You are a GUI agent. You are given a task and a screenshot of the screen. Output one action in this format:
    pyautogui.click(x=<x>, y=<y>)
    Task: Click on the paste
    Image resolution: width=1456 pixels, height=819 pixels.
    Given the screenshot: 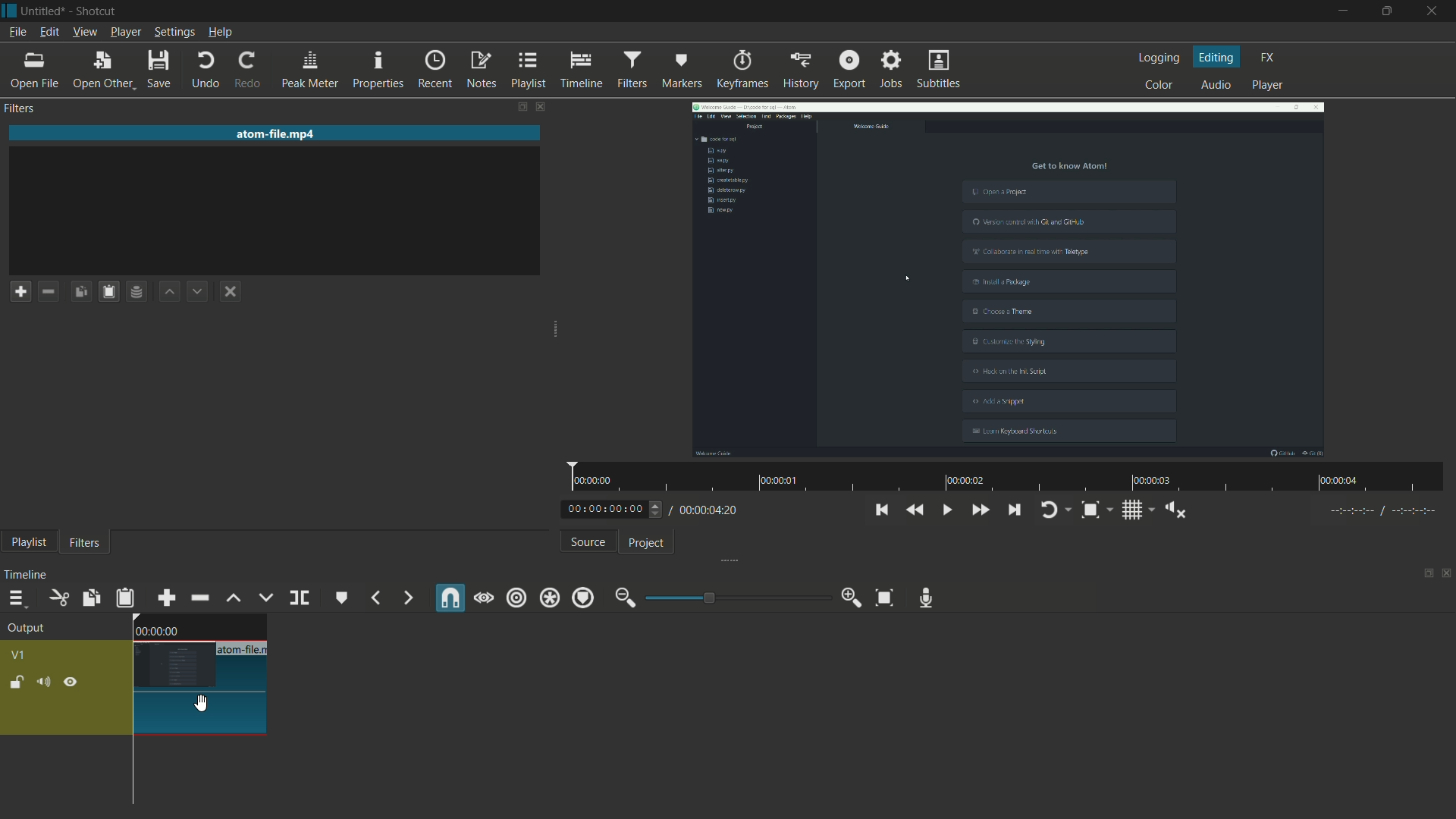 What is the action you would take?
    pyautogui.click(x=108, y=291)
    